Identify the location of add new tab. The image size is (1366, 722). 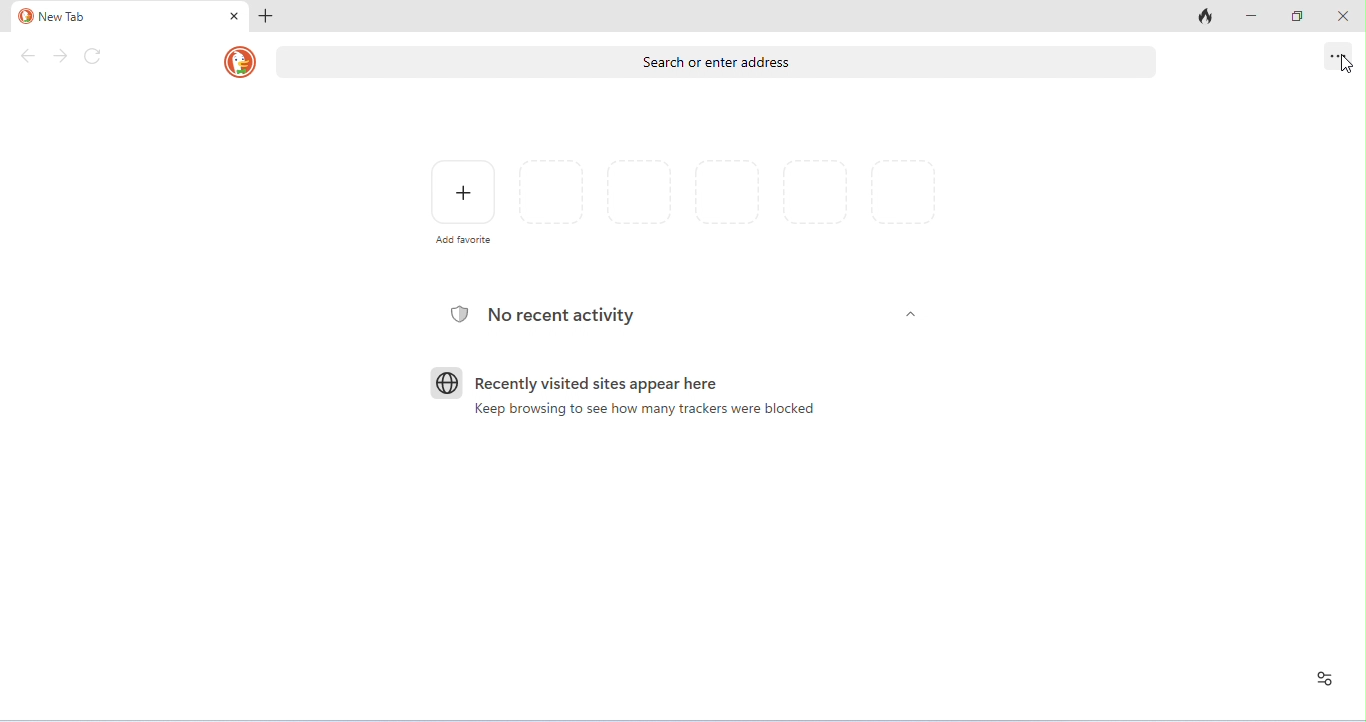
(270, 17).